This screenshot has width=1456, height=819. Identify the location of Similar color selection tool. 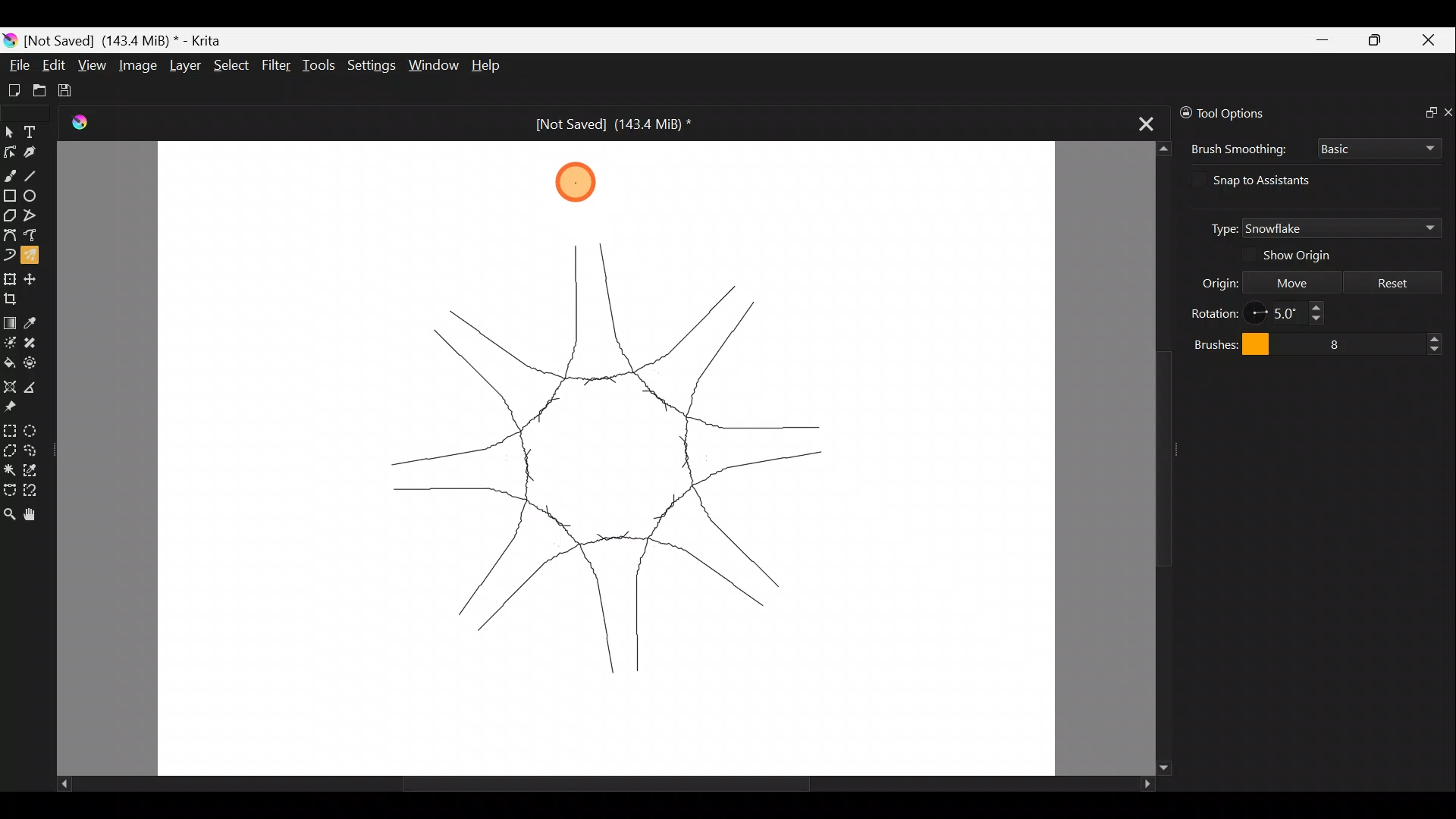
(33, 469).